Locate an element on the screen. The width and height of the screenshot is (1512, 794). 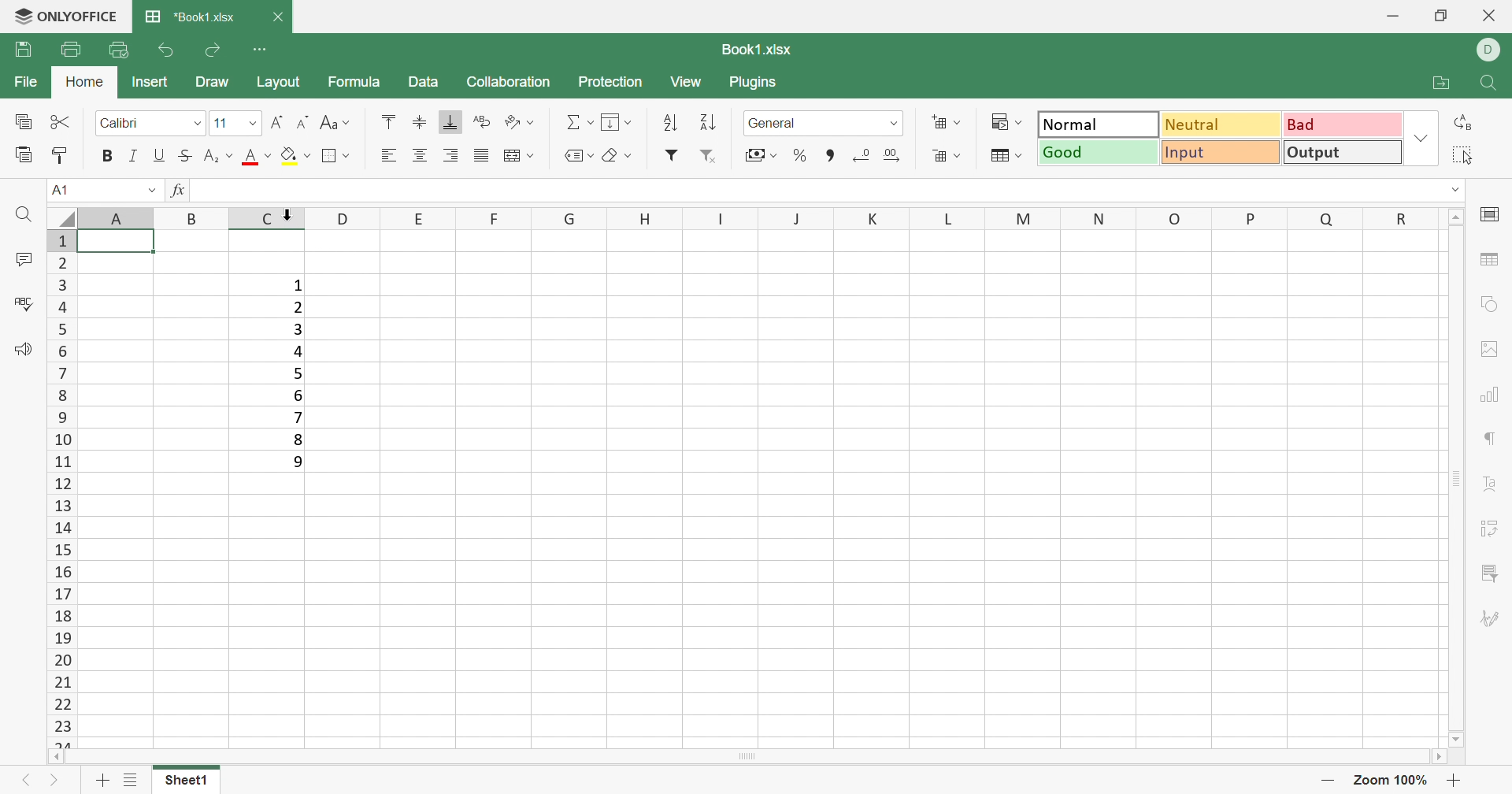
Save is located at coordinates (24, 52).